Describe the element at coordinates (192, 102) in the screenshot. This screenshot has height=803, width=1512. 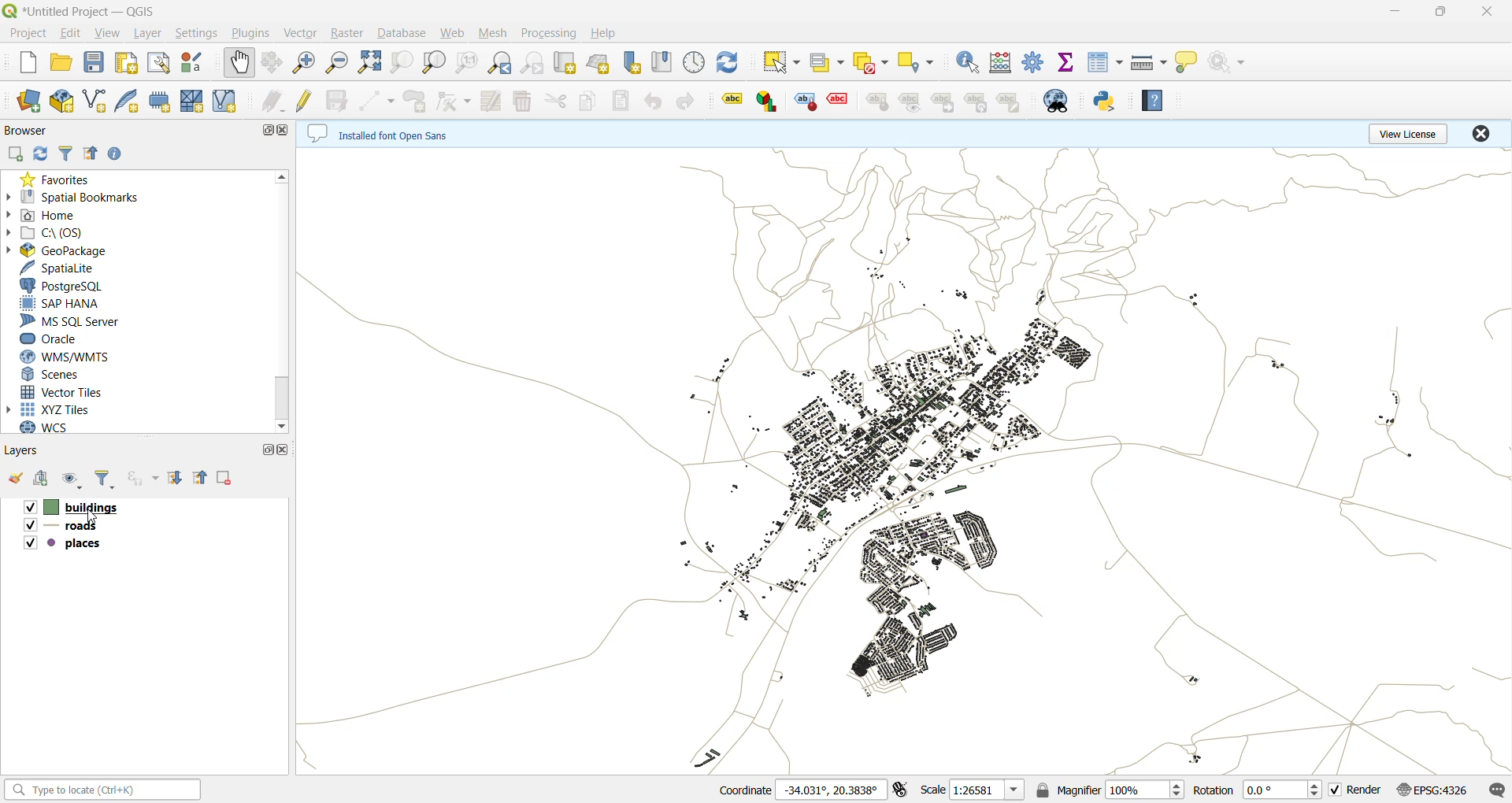
I see `mesh` at that location.